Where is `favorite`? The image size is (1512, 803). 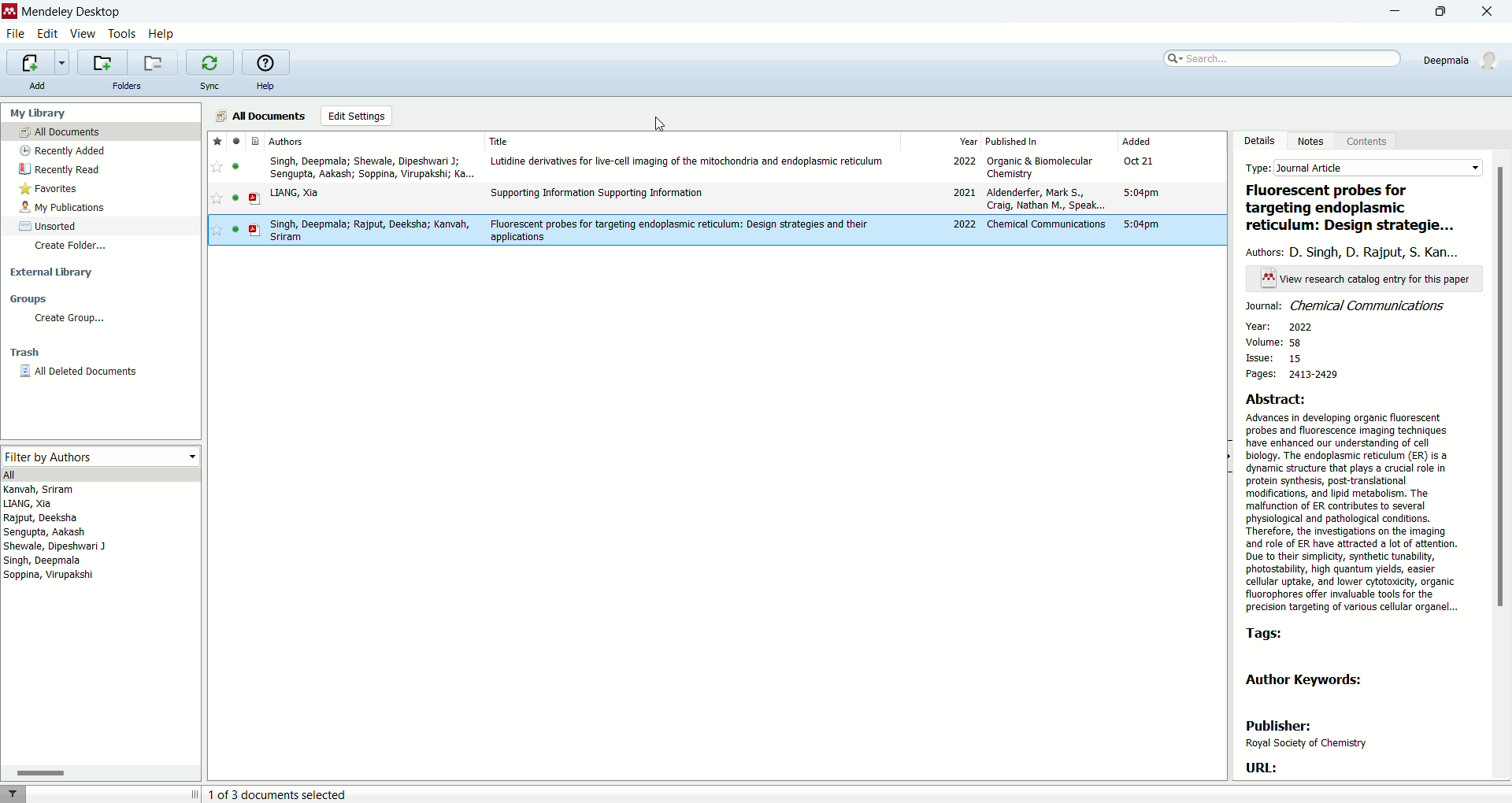 favorite is located at coordinates (217, 168).